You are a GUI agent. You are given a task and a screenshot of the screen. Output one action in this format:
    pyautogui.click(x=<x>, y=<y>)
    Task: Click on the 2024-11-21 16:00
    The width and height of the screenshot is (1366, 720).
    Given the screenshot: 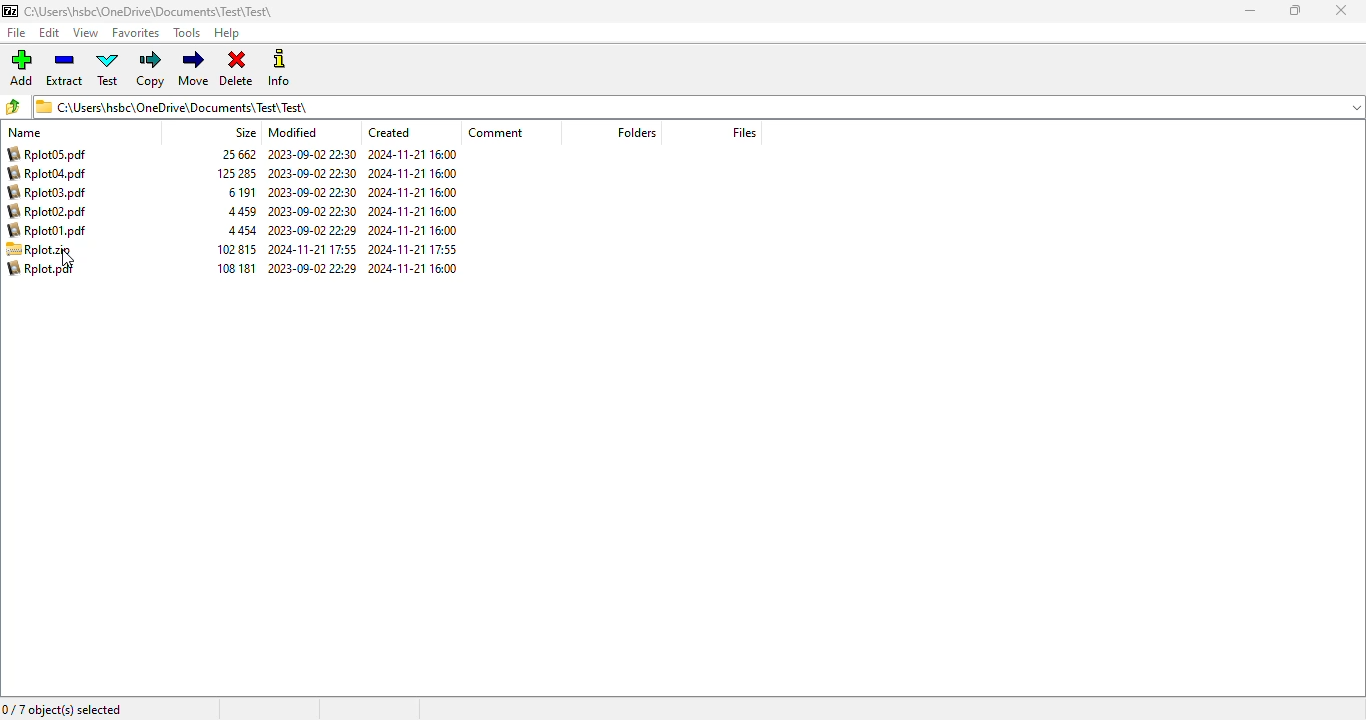 What is the action you would take?
    pyautogui.click(x=415, y=267)
    